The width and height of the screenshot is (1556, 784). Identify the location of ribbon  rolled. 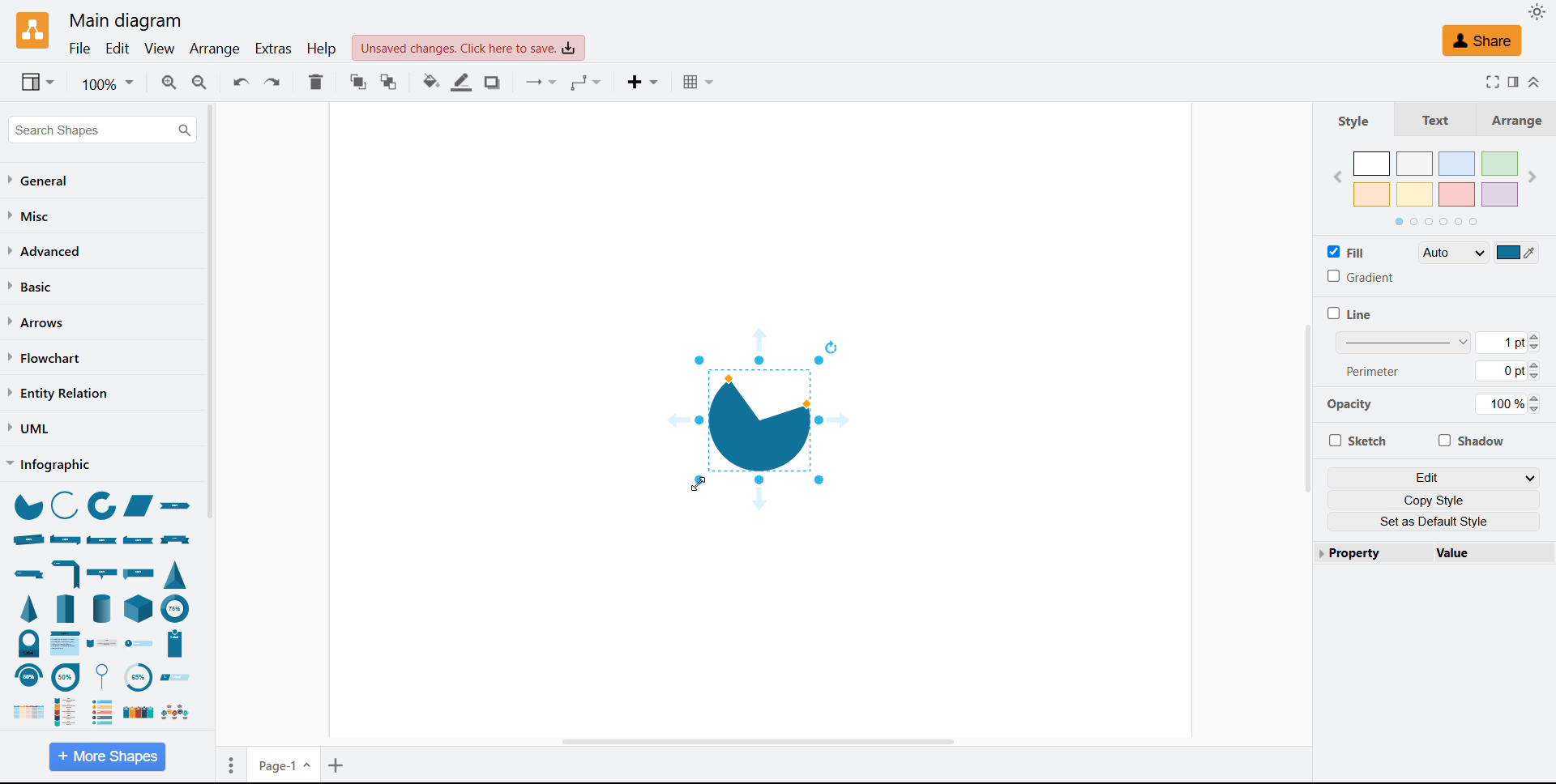
(28, 539).